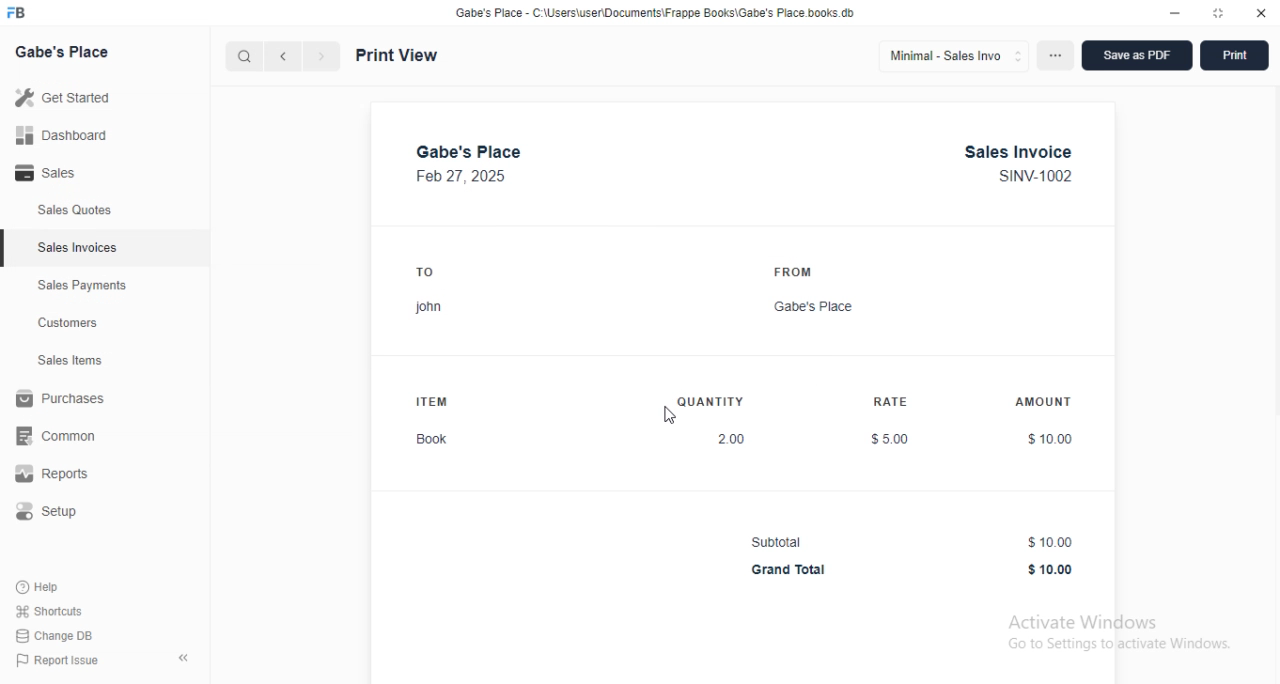 The width and height of the screenshot is (1280, 684). What do you see at coordinates (63, 51) in the screenshot?
I see `gabe's place` at bounding box center [63, 51].